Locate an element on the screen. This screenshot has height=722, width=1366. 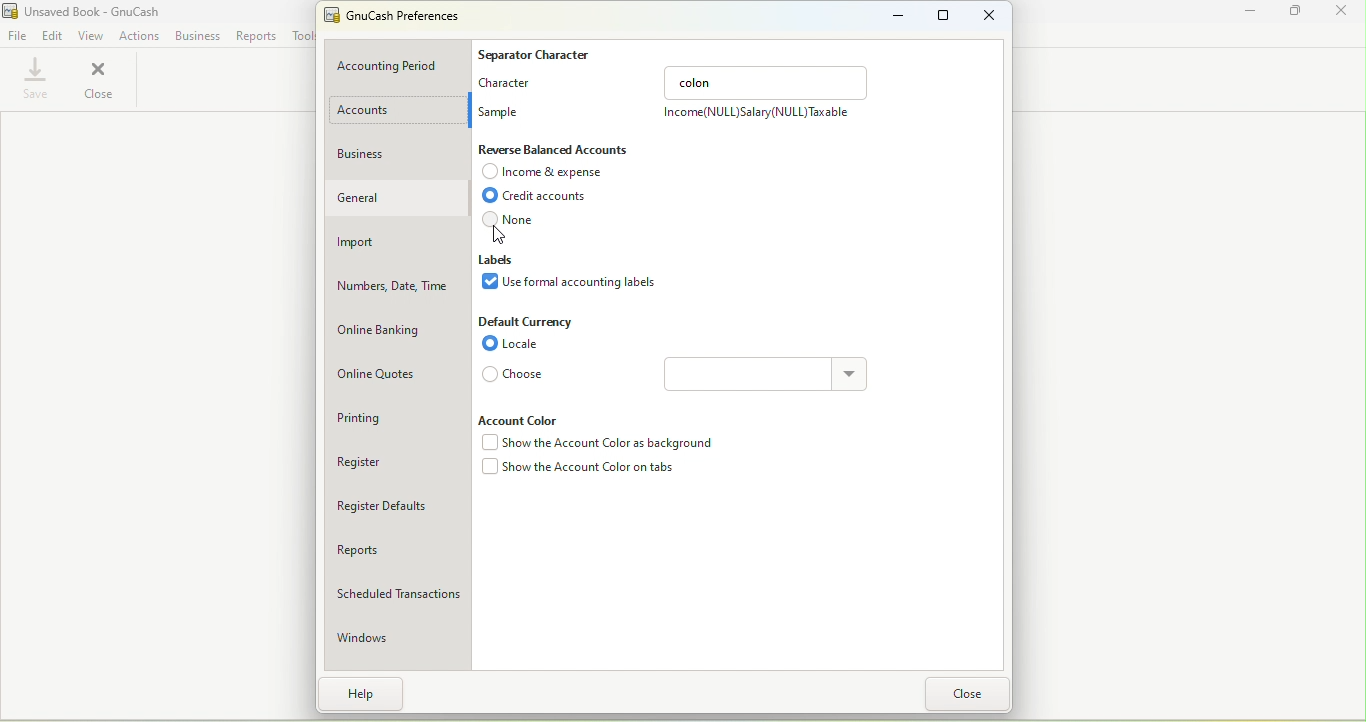
Show the account color on tabs is located at coordinates (593, 469).